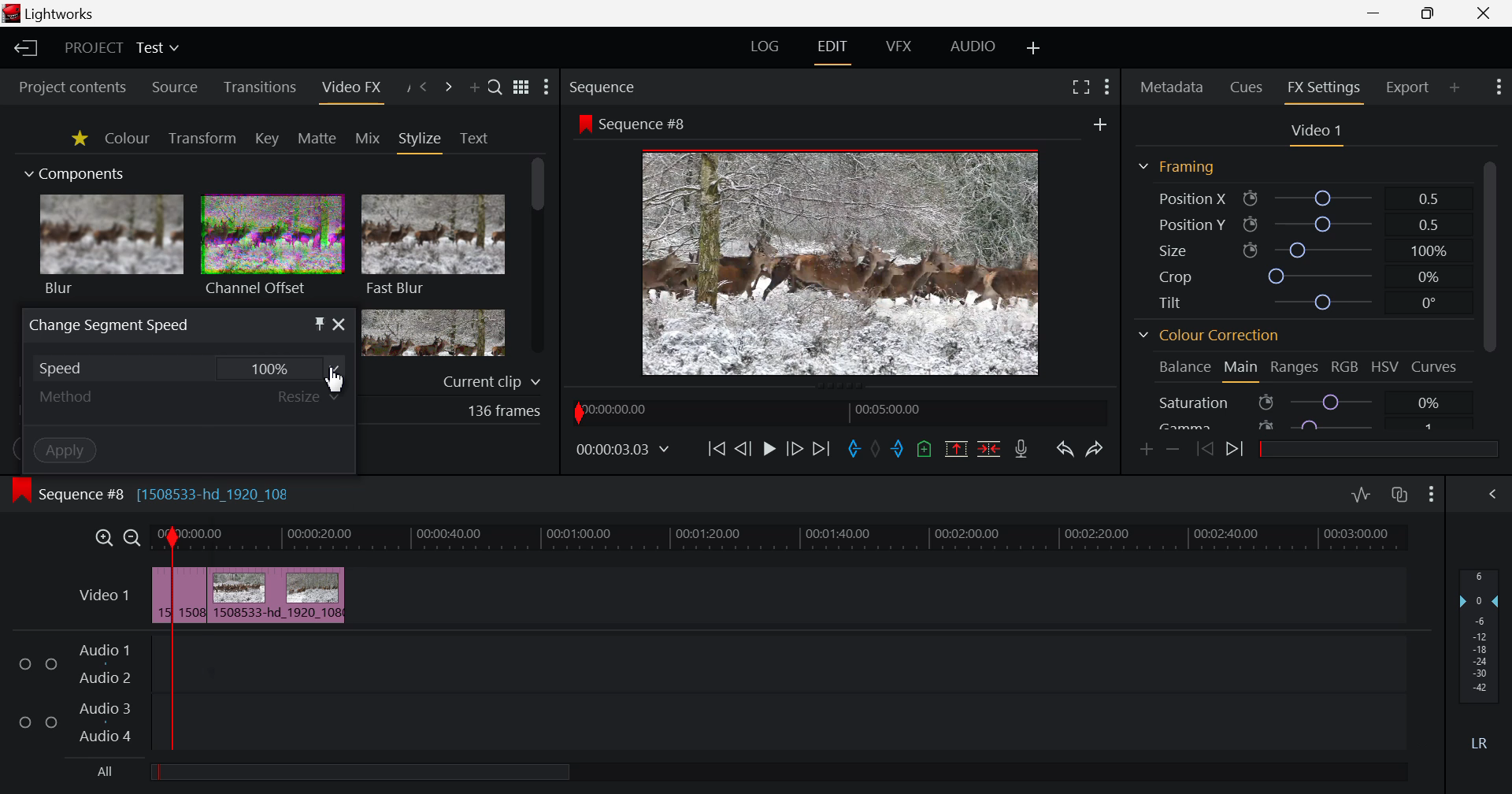  I want to click on Remove keyframe, so click(1173, 449).